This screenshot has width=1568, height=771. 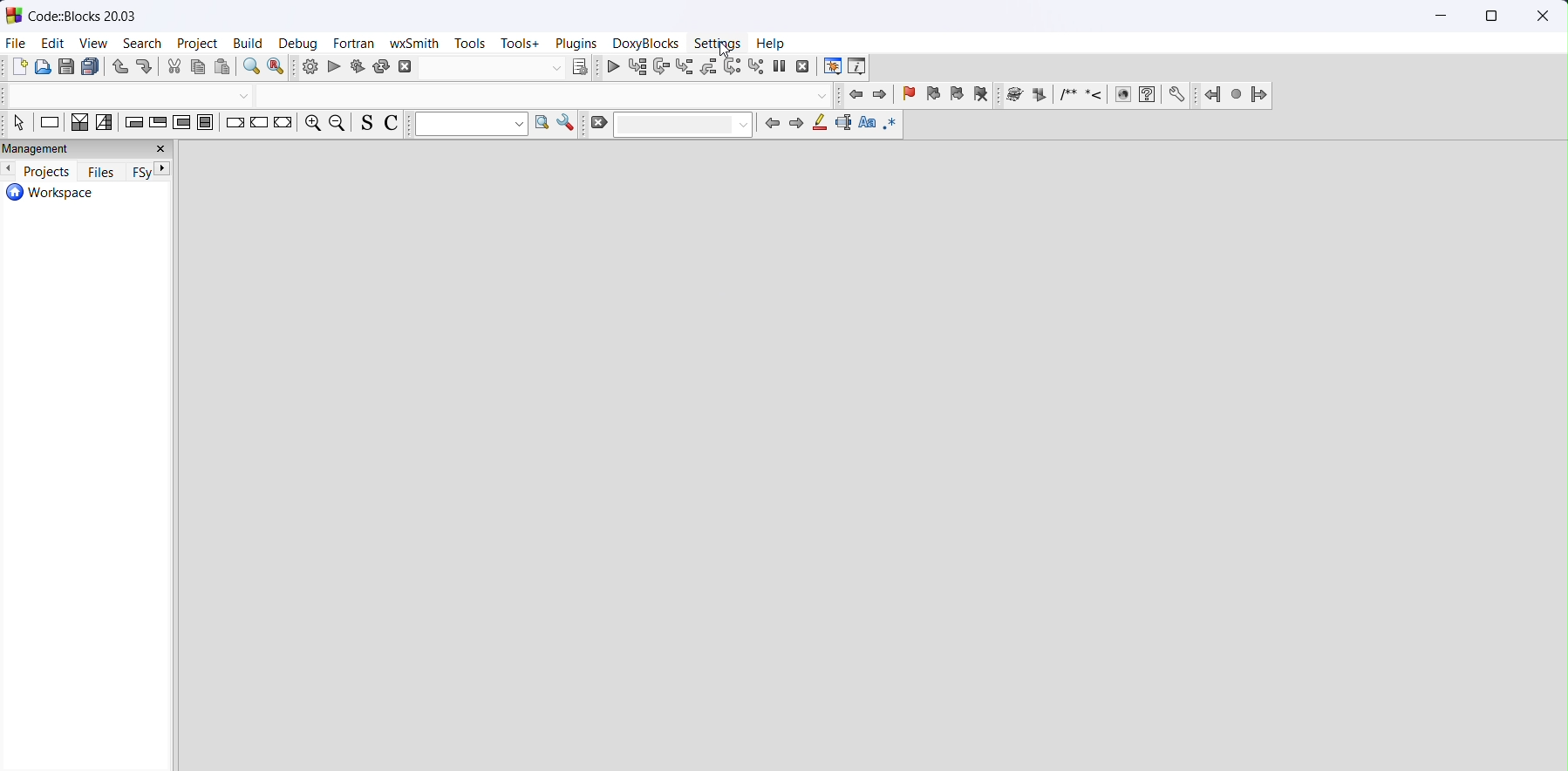 What do you see at coordinates (981, 96) in the screenshot?
I see `clear bookmark` at bounding box center [981, 96].